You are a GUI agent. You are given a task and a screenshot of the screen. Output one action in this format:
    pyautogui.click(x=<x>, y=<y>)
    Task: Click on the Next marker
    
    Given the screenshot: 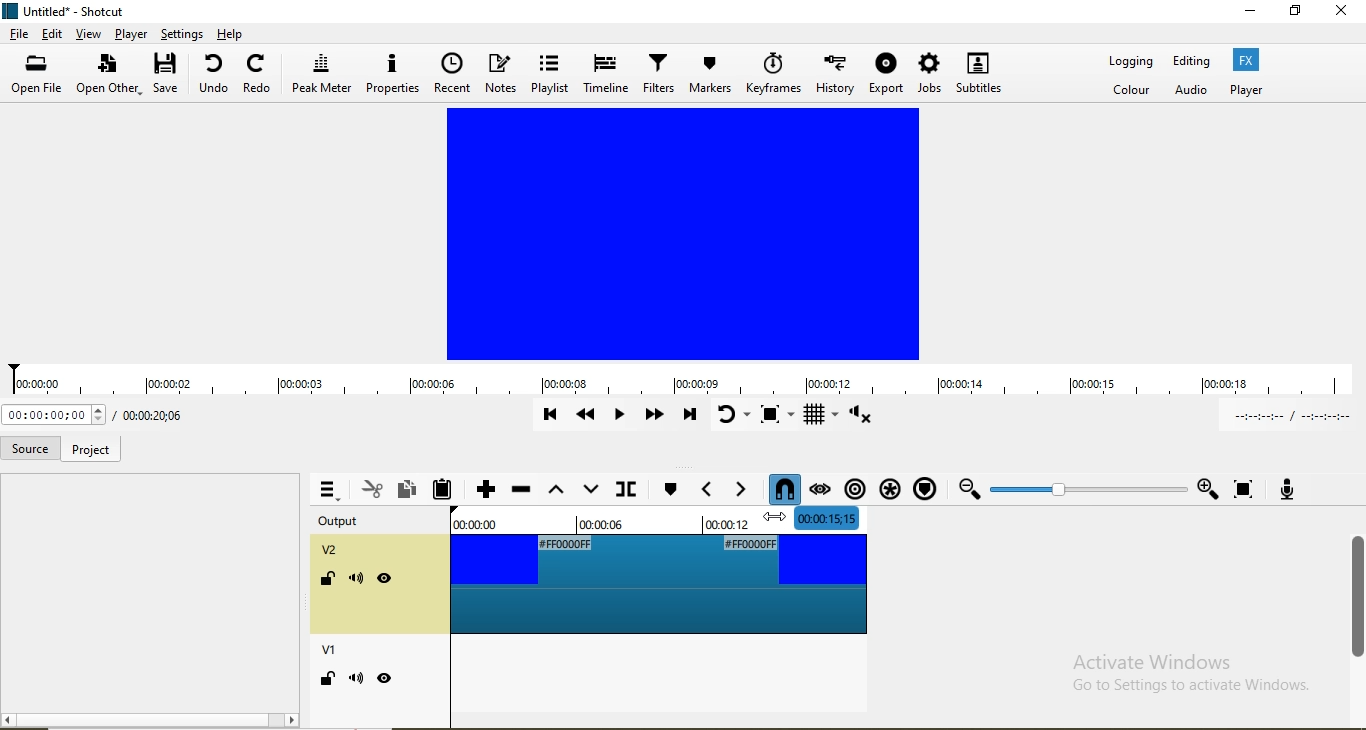 What is the action you would take?
    pyautogui.click(x=669, y=486)
    